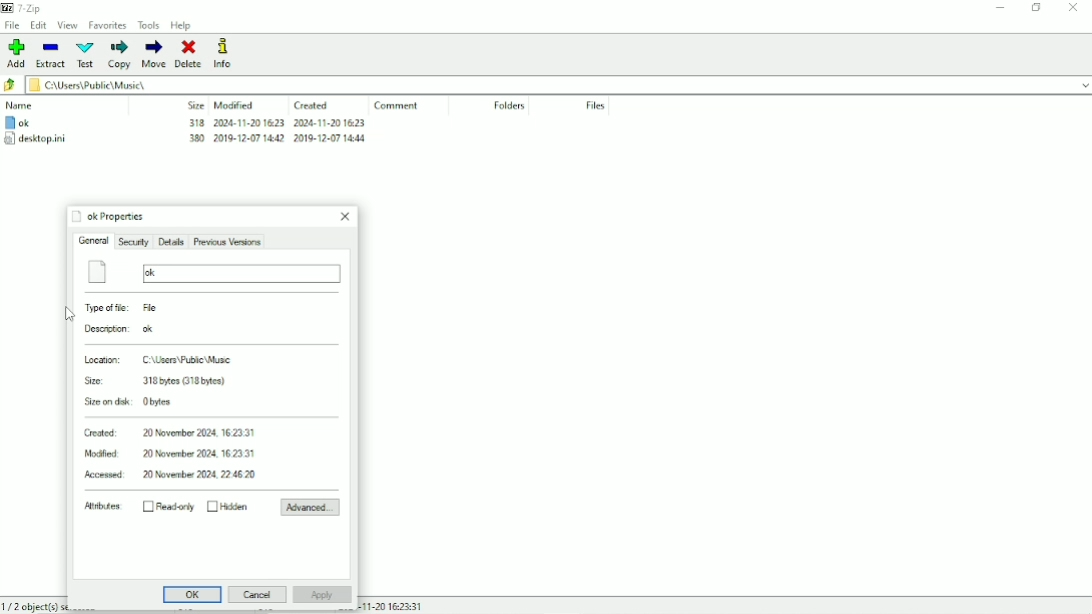 The image size is (1092, 614). Describe the element at coordinates (120, 54) in the screenshot. I see `Copy` at that location.